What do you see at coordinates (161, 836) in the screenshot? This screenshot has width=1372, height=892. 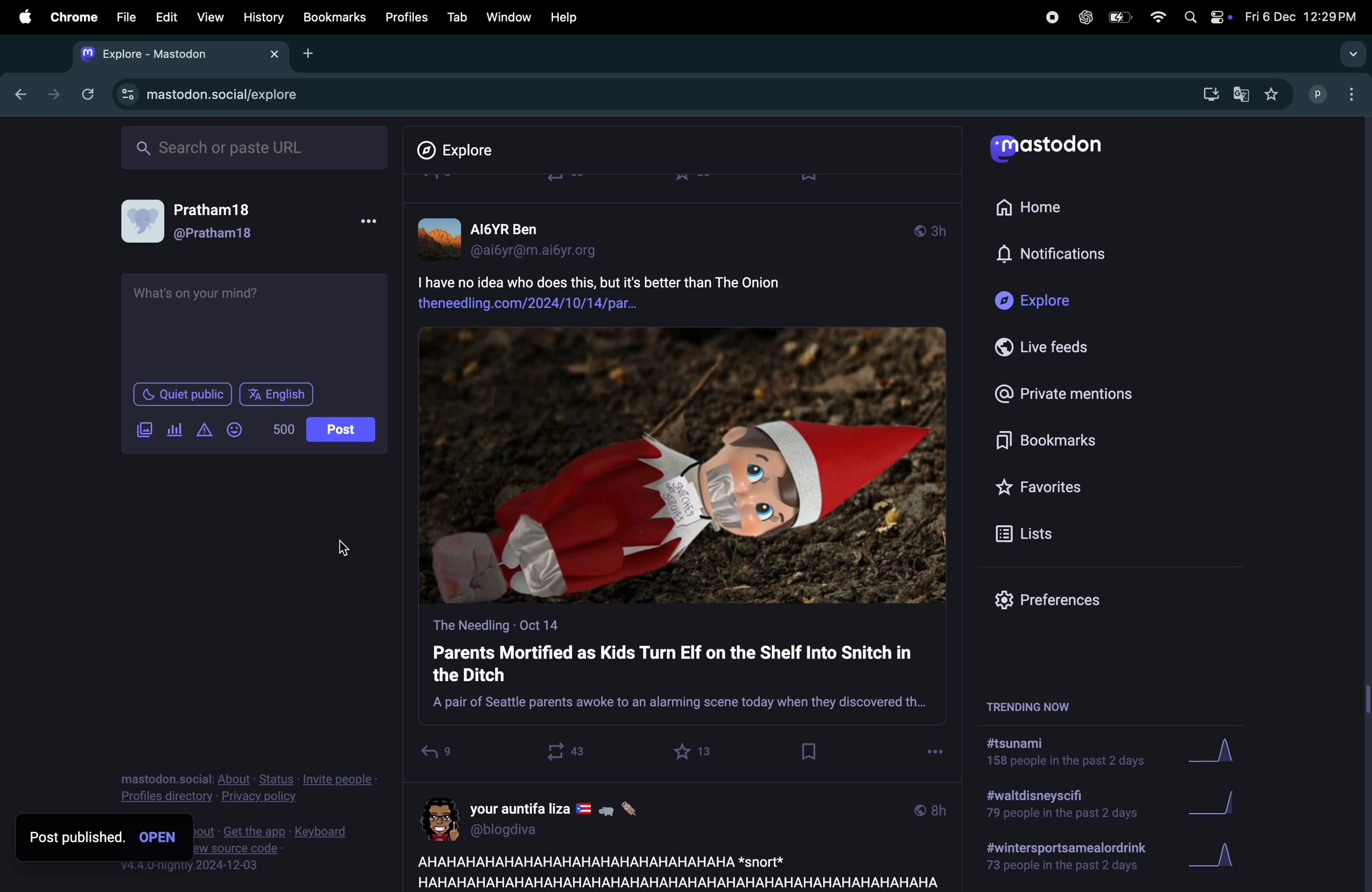 I see `open` at bounding box center [161, 836].